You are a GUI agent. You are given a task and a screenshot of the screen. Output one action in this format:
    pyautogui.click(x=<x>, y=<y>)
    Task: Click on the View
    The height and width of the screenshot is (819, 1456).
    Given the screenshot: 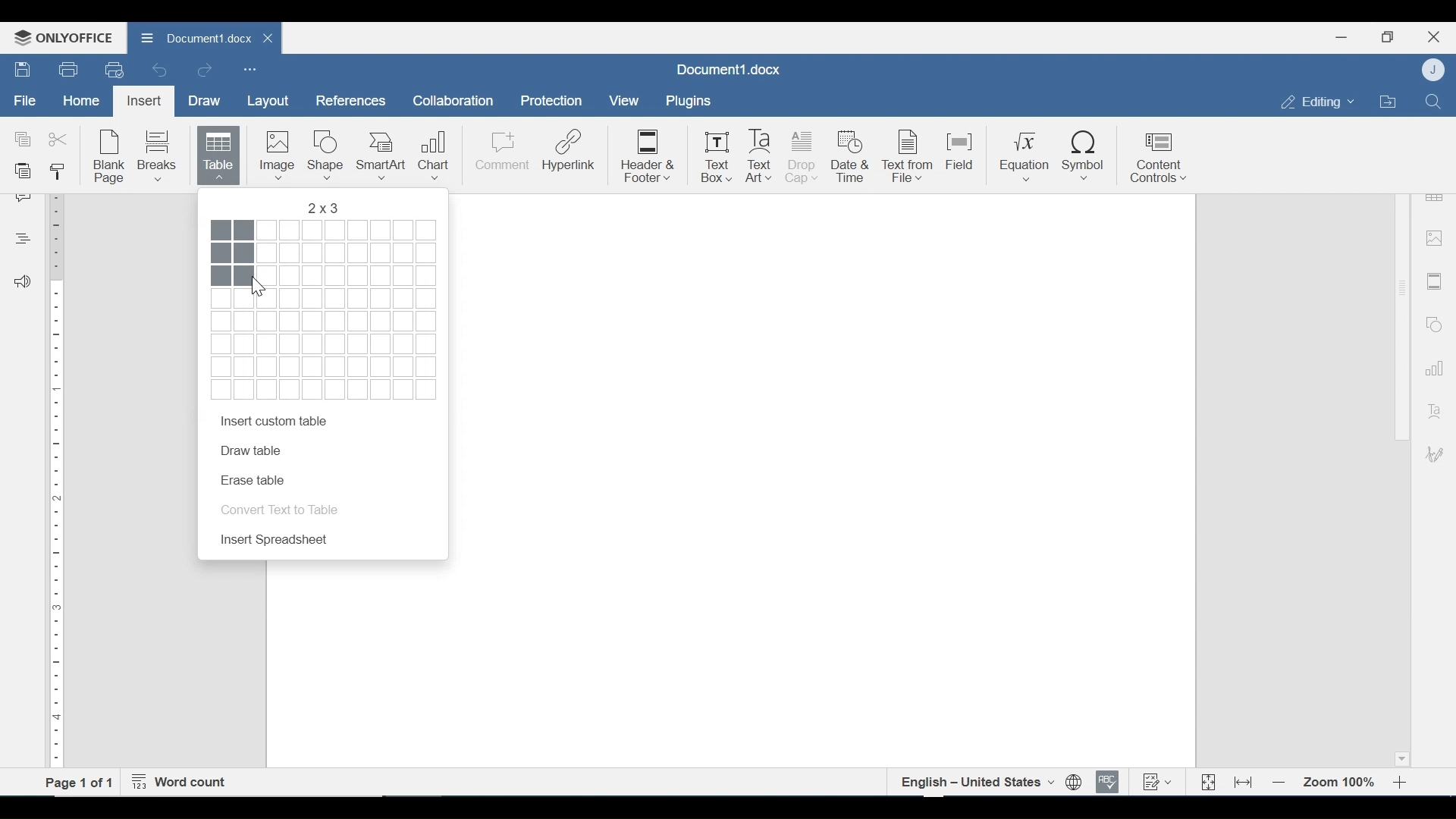 What is the action you would take?
    pyautogui.click(x=625, y=101)
    